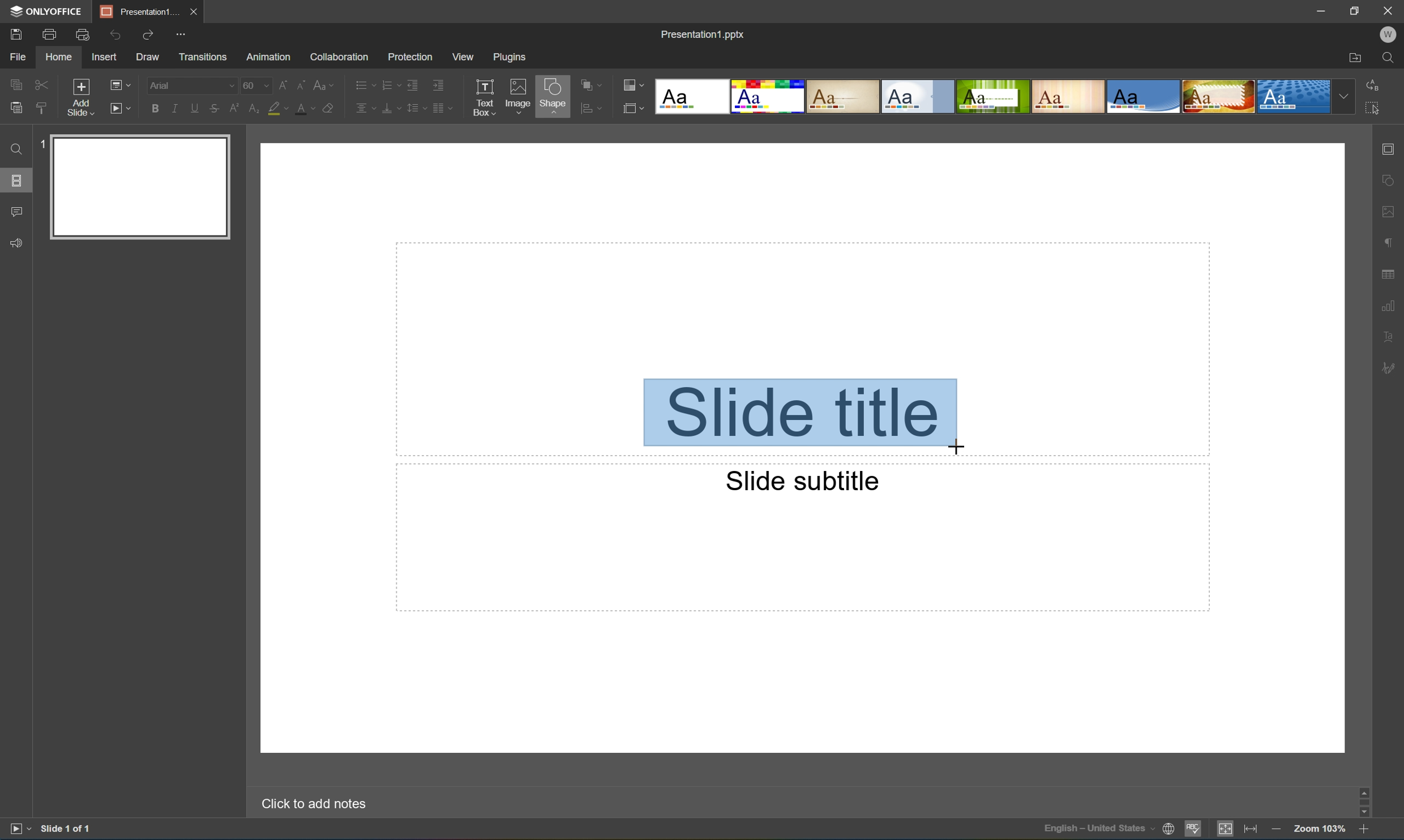 The height and width of the screenshot is (840, 1404). Describe the element at coordinates (340, 57) in the screenshot. I see `Collaboration` at that location.